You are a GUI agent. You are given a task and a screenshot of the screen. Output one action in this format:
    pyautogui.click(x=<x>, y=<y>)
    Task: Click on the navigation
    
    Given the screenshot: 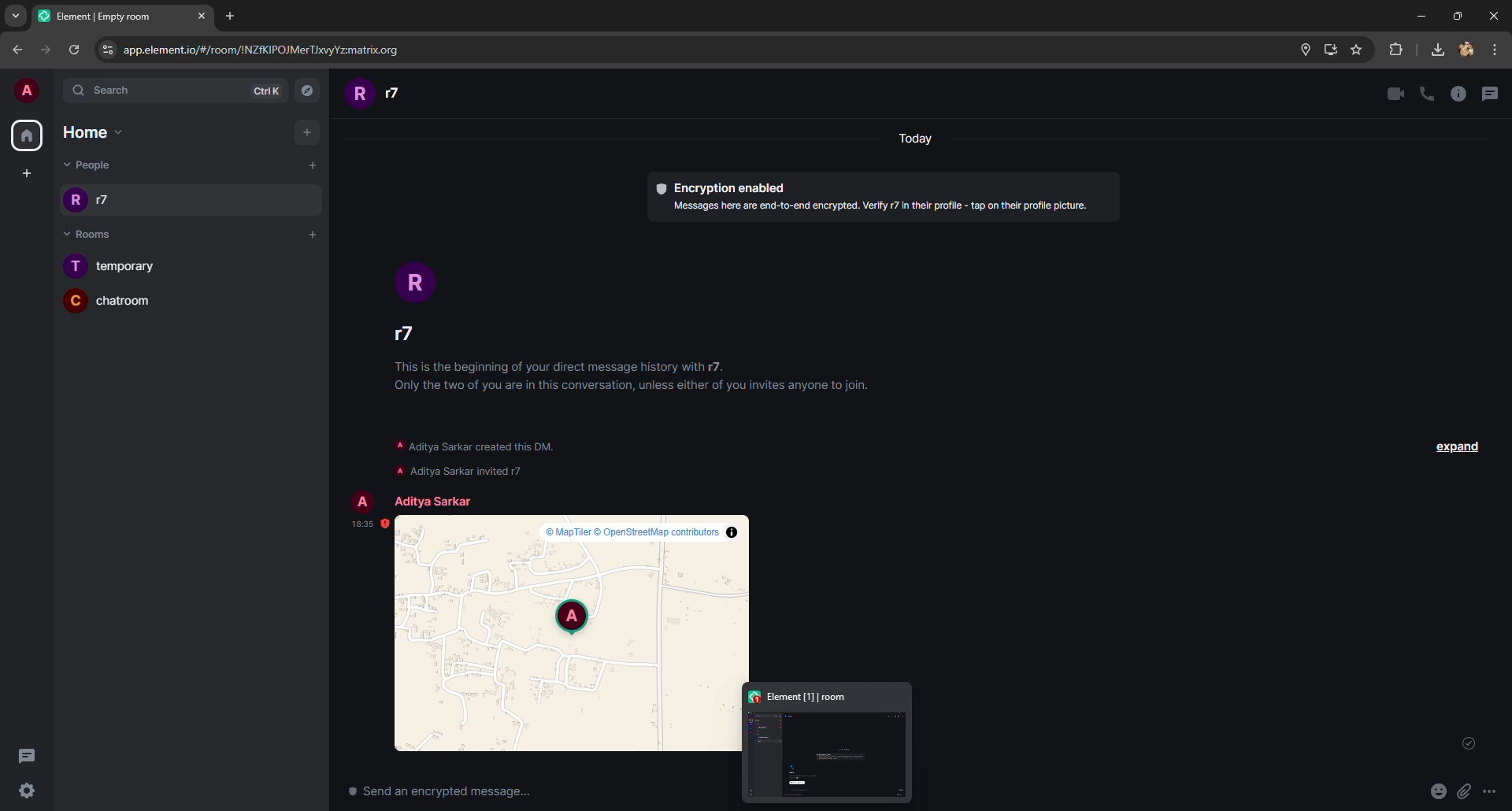 What is the action you would take?
    pyautogui.click(x=309, y=90)
    